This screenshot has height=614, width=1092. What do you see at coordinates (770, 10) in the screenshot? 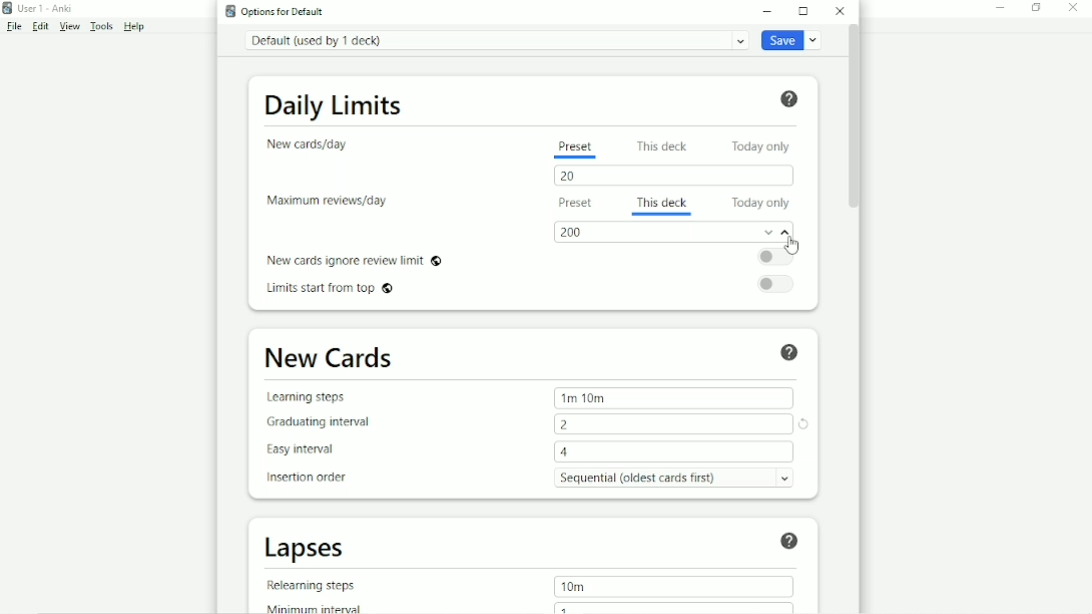
I see `Minimize` at bounding box center [770, 10].